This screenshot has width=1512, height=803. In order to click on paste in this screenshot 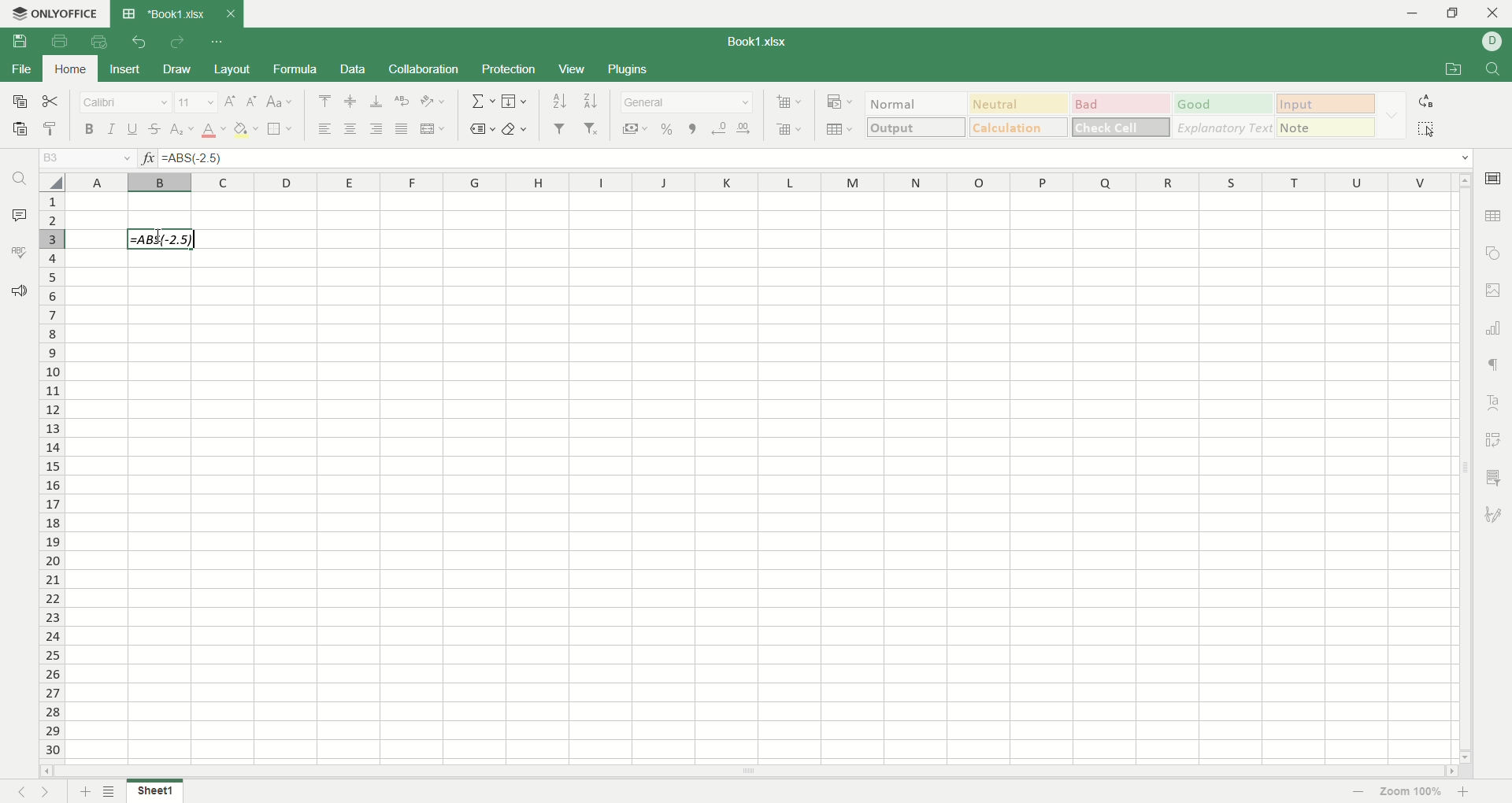, I will do `click(18, 128)`.